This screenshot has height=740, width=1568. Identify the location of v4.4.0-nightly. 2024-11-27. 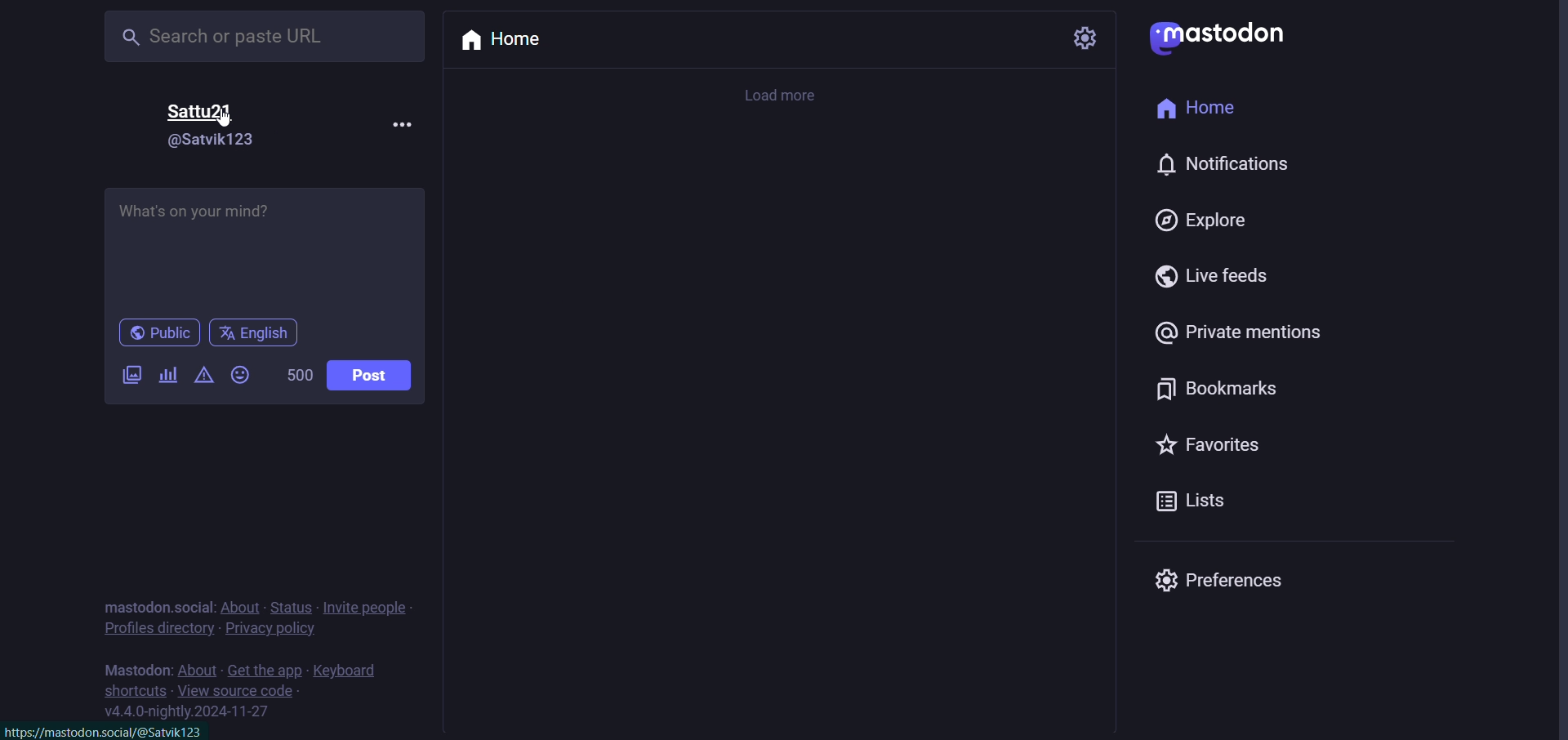
(186, 713).